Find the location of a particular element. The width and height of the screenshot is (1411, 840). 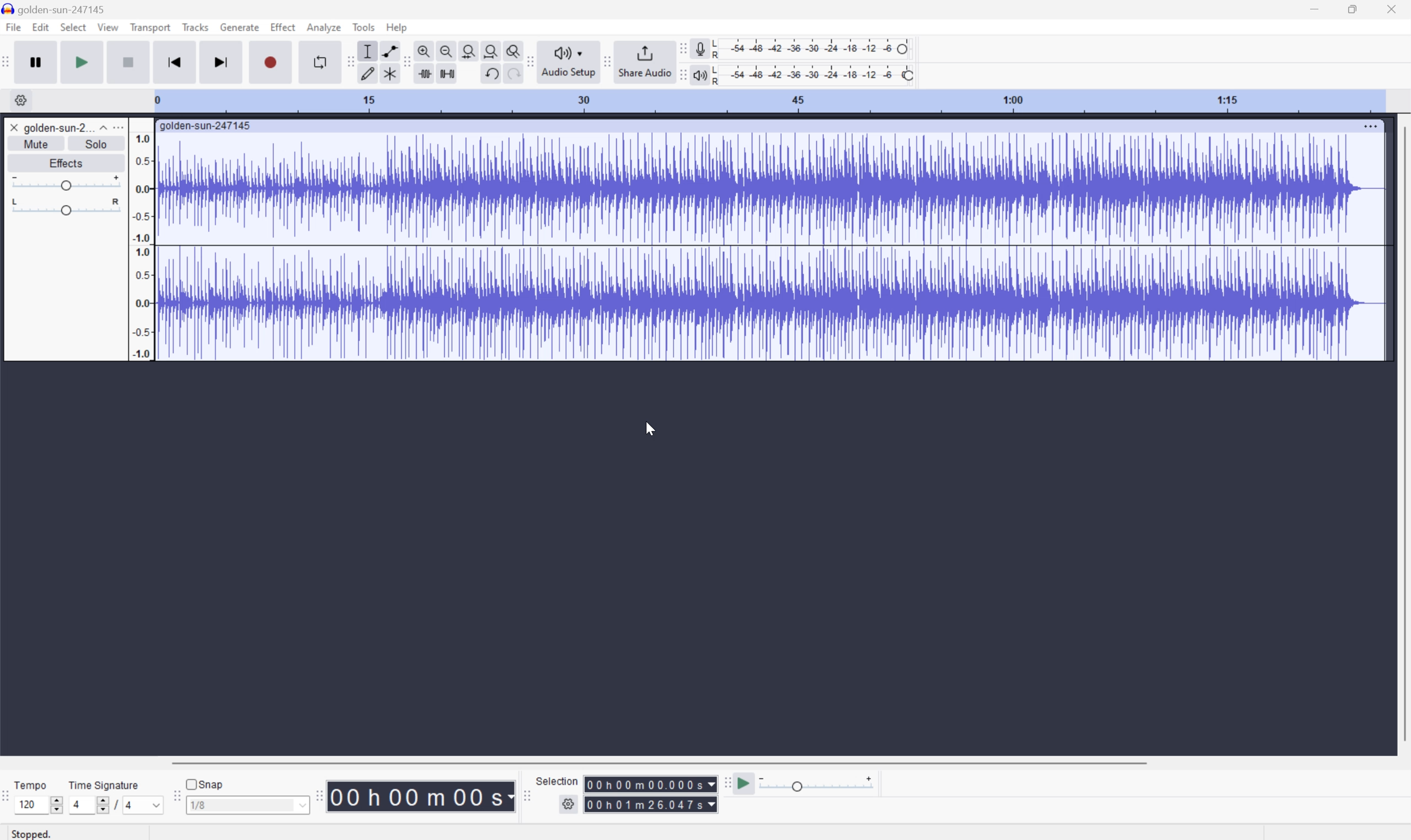

Audacity selection toolbar is located at coordinates (525, 794).